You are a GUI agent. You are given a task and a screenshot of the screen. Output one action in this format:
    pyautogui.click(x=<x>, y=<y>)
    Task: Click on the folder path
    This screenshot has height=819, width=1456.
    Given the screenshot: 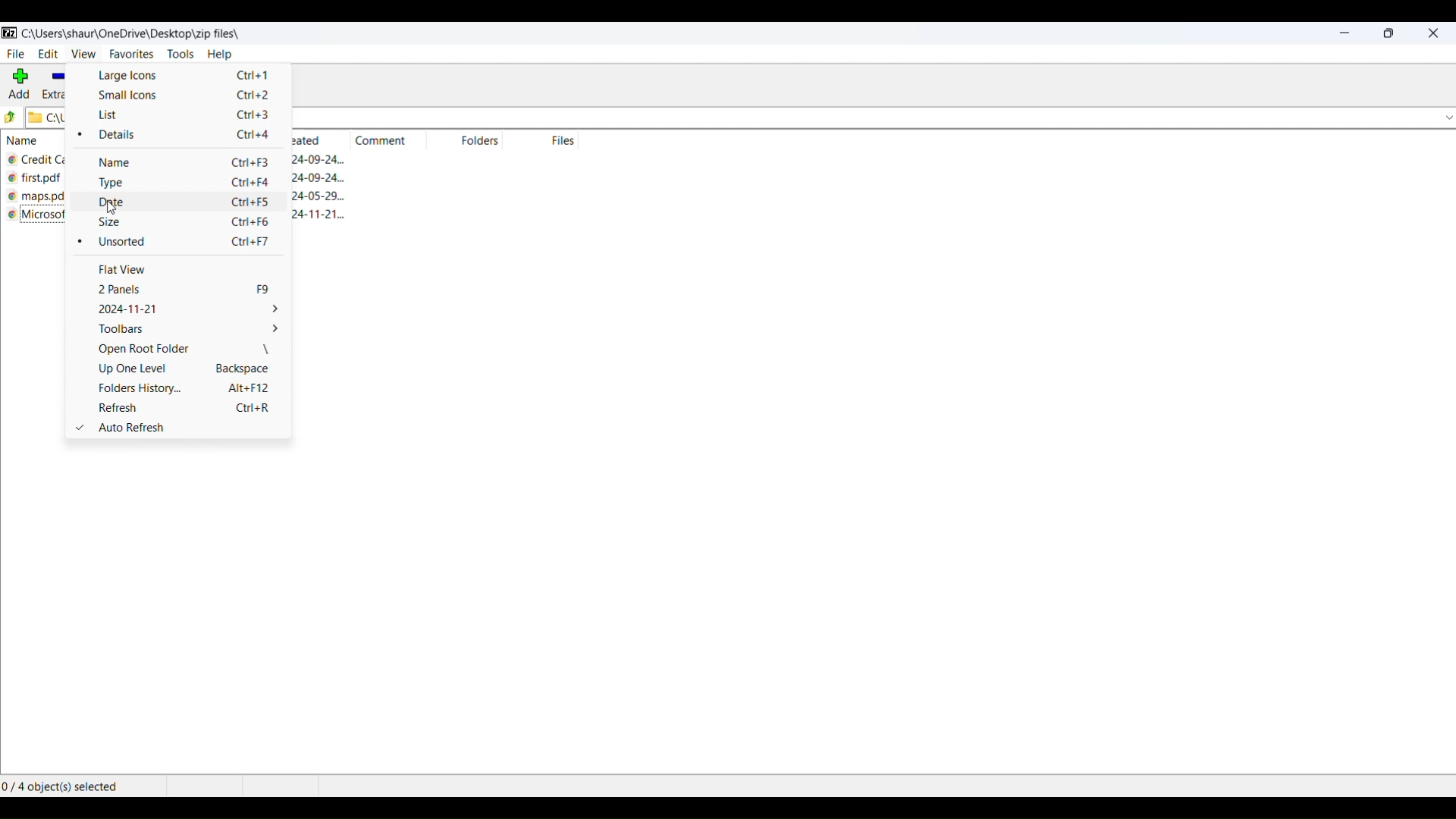 What is the action you would take?
    pyautogui.click(x=131, y=33)
    